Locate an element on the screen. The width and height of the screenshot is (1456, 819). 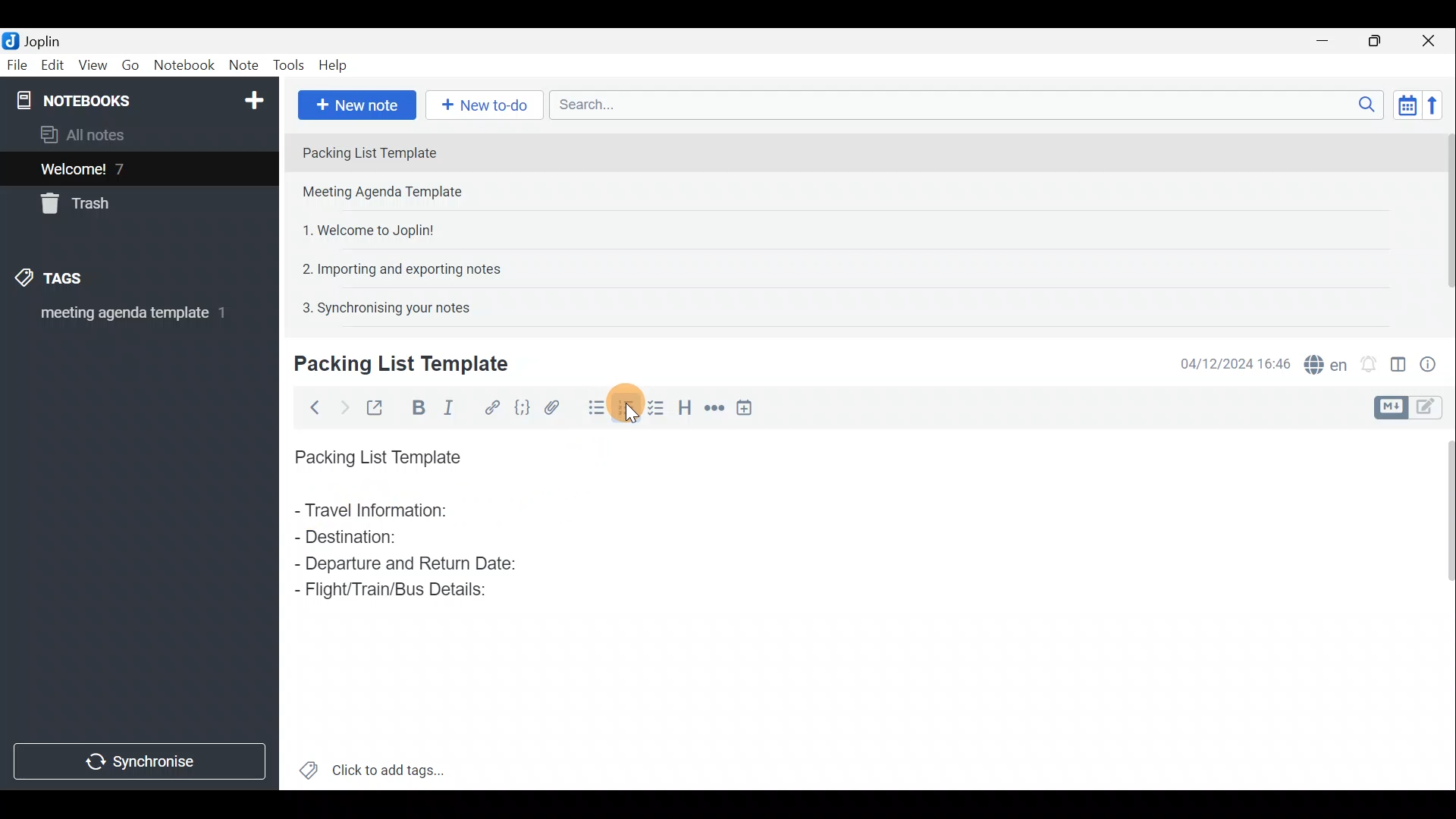
Synchronise is located at coordinates (142, 764).